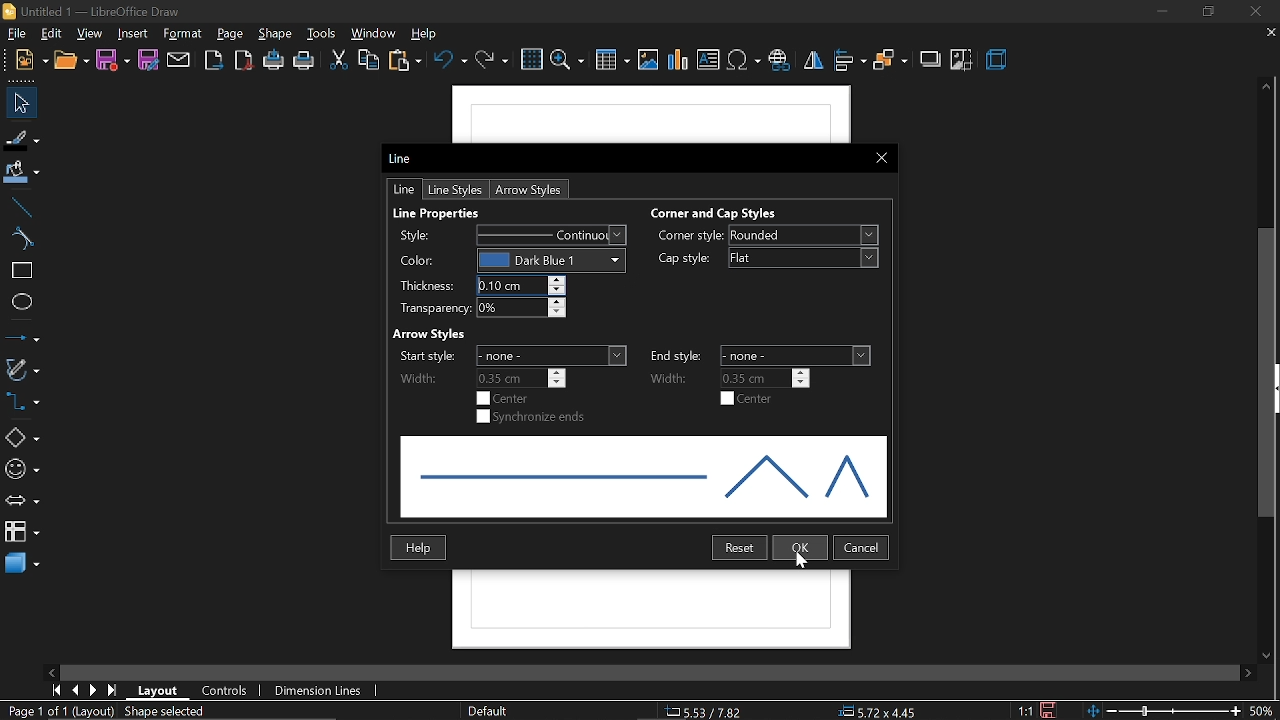 This screenshot has height=720, width=1280. What do you see at coordinates (425, 287) in the screenshot?
I see `Thickness:` at bounding box center [425, 287].